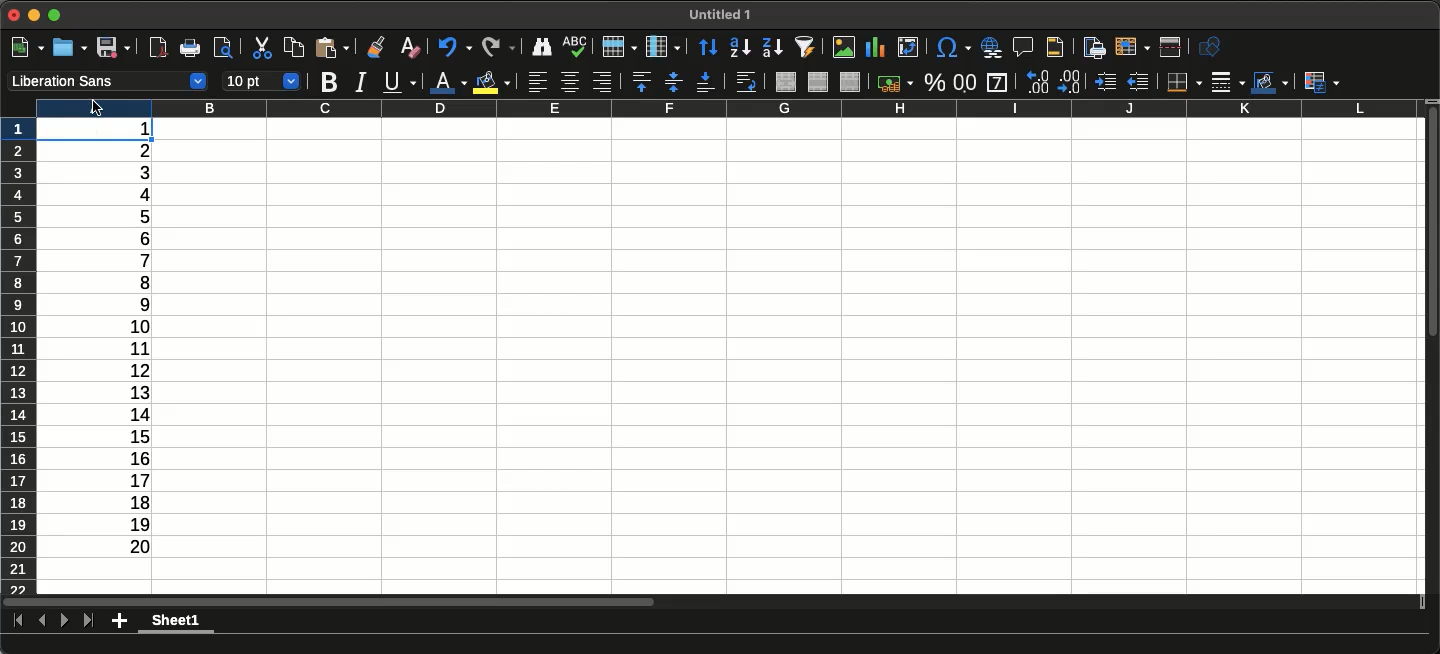 The image size is (1440, 654). Describe the element at coordinates (328, 83) in the screenshot. I see `Bold` at that location.